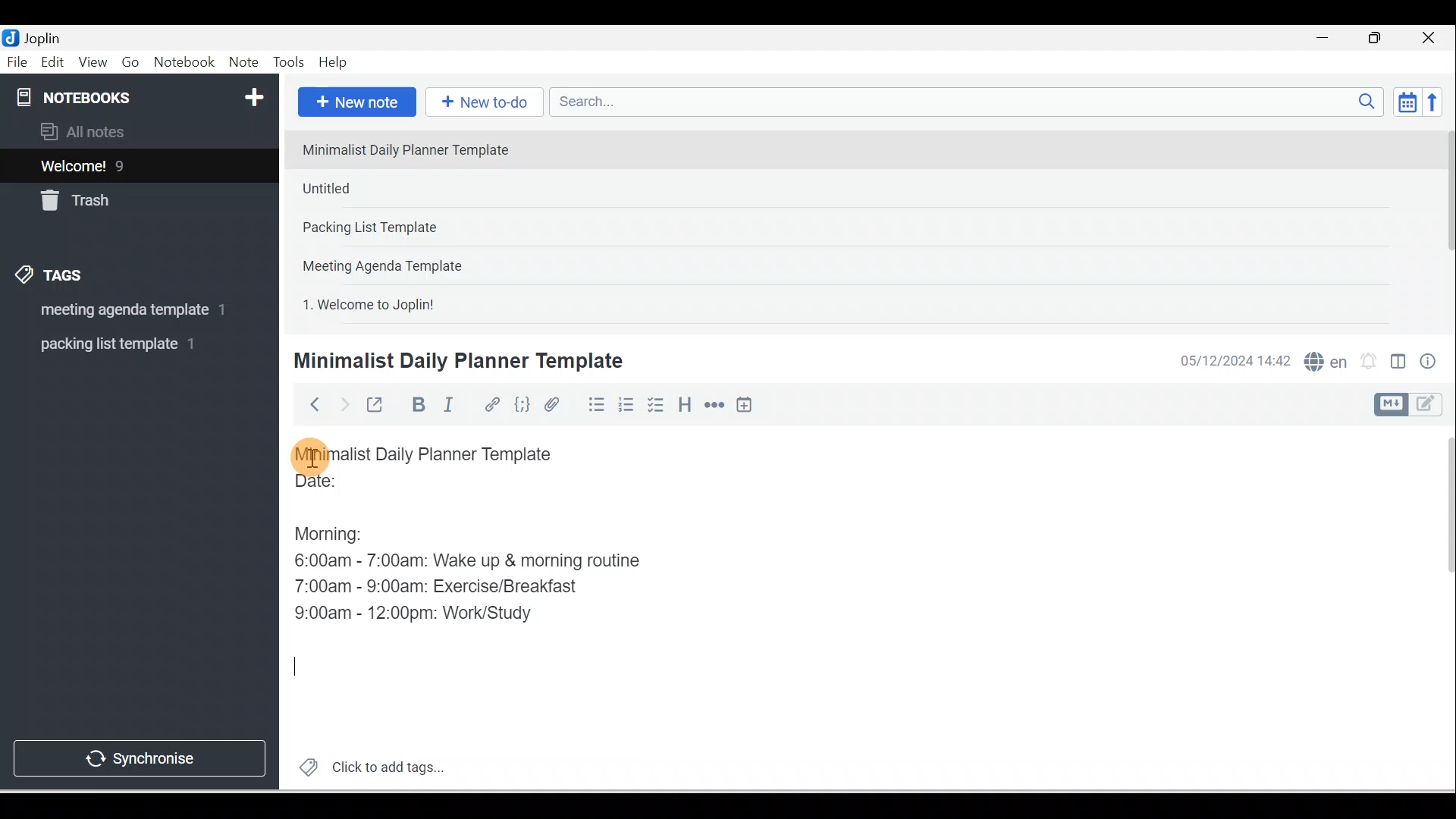  I want to click on Minimalist Daily Planner Template, so click(456, 361).